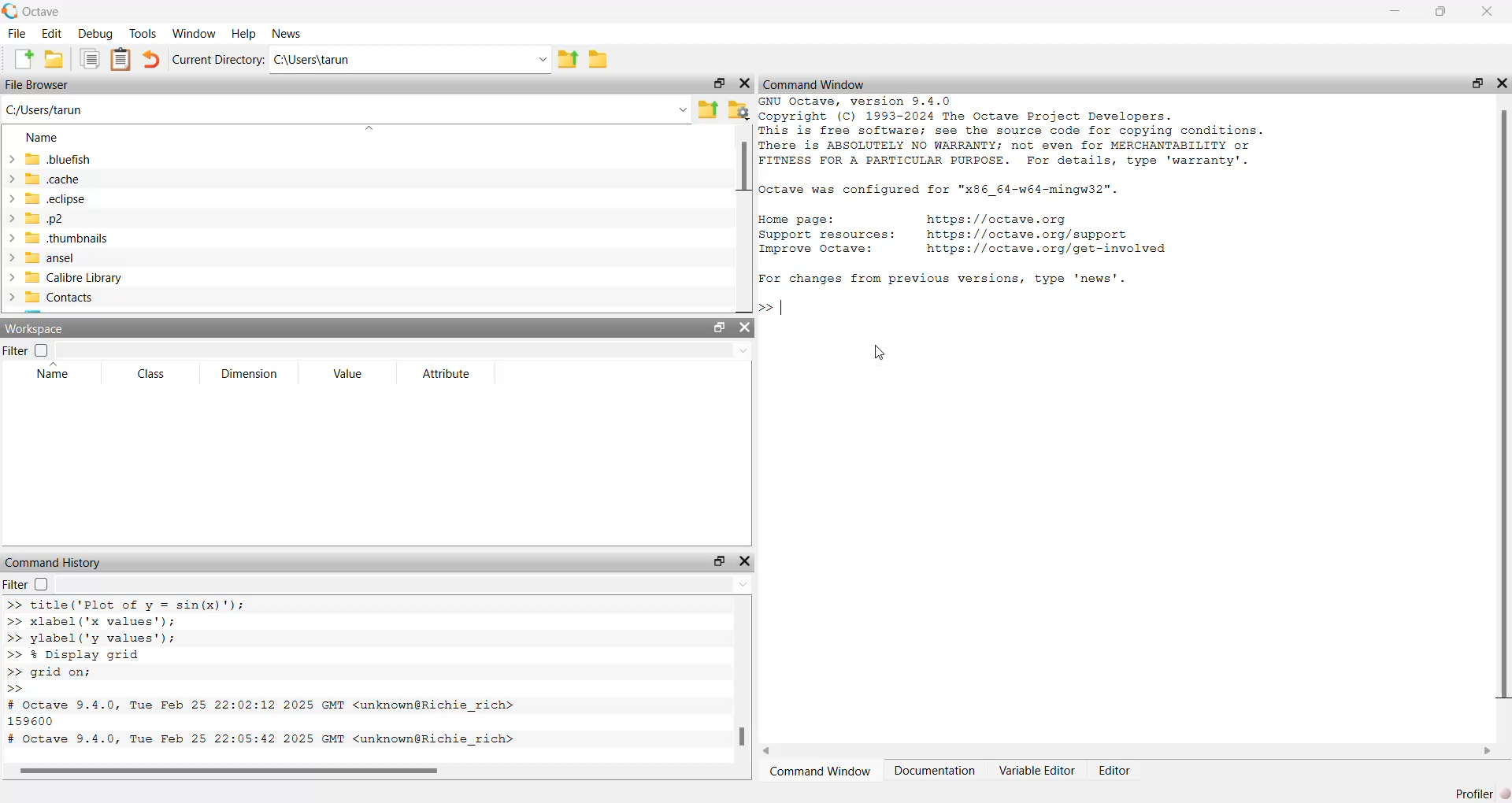  Describe the element at coordinates (1394, 13) in the screenshot. I see `minimize` at that location.